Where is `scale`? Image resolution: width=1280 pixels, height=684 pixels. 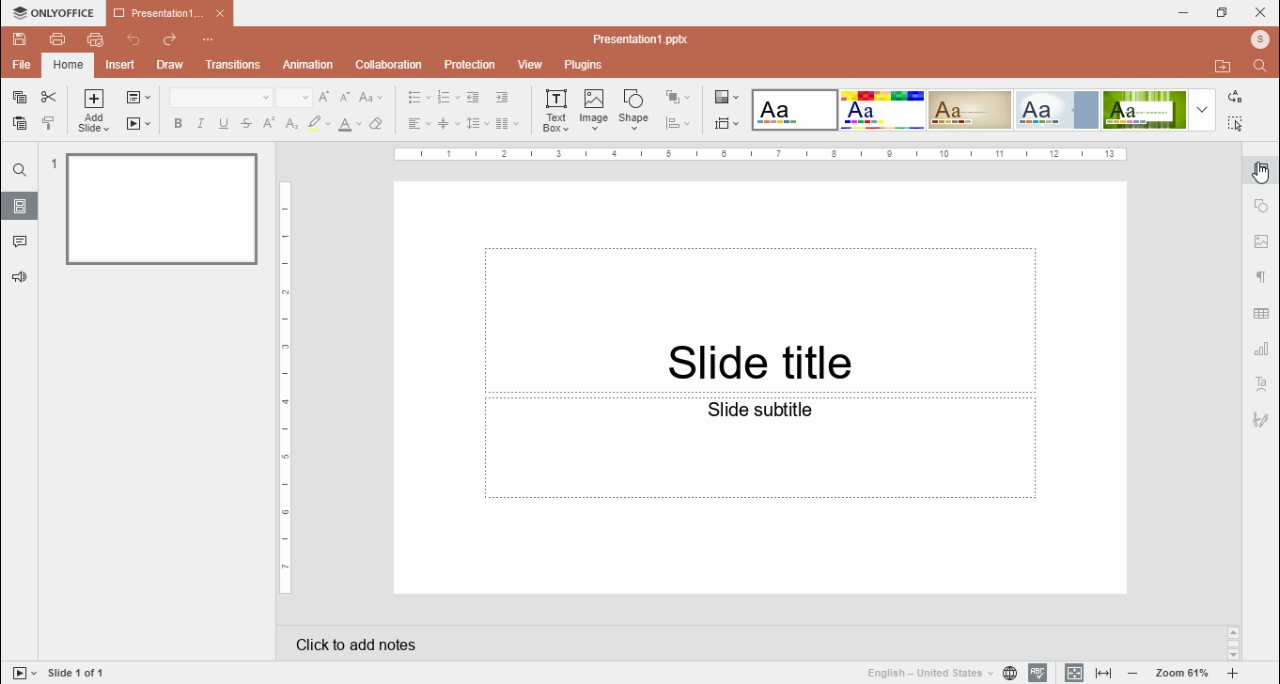 scale is located at coordinates (284, 389).